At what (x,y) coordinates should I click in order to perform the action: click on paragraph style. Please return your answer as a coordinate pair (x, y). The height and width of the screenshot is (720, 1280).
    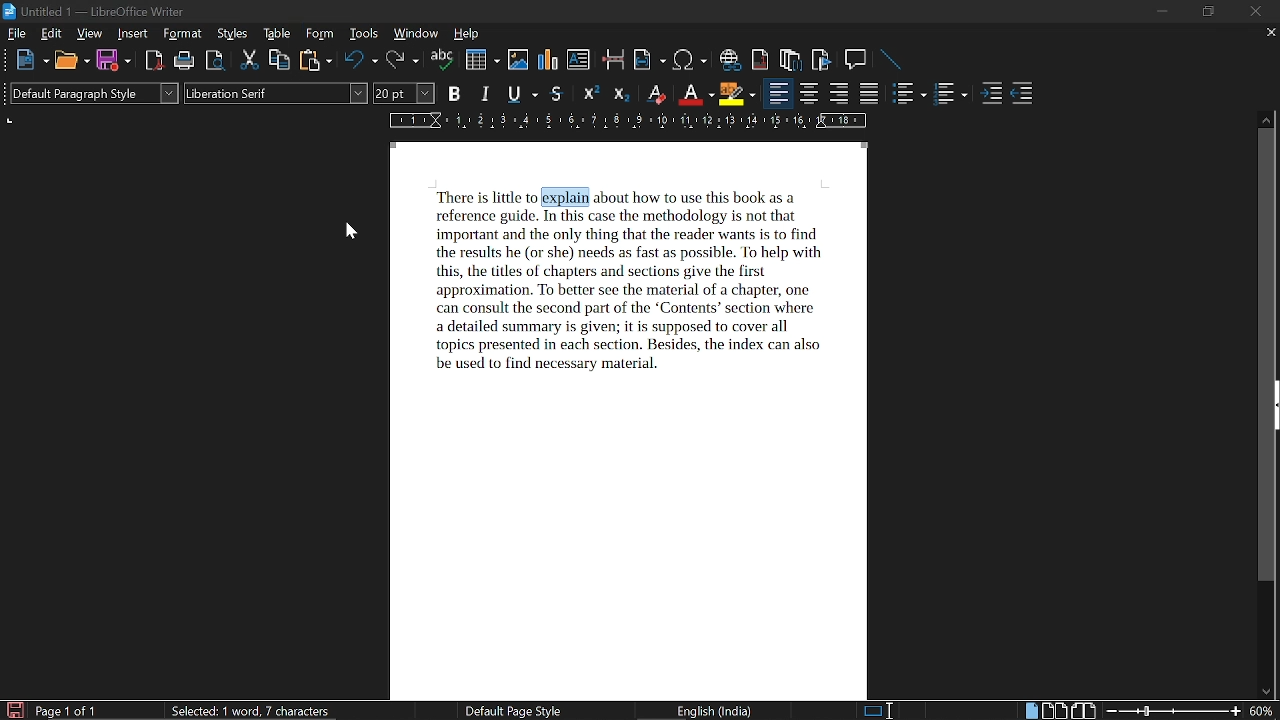
    Looking at the image, I should click on (96, 95).